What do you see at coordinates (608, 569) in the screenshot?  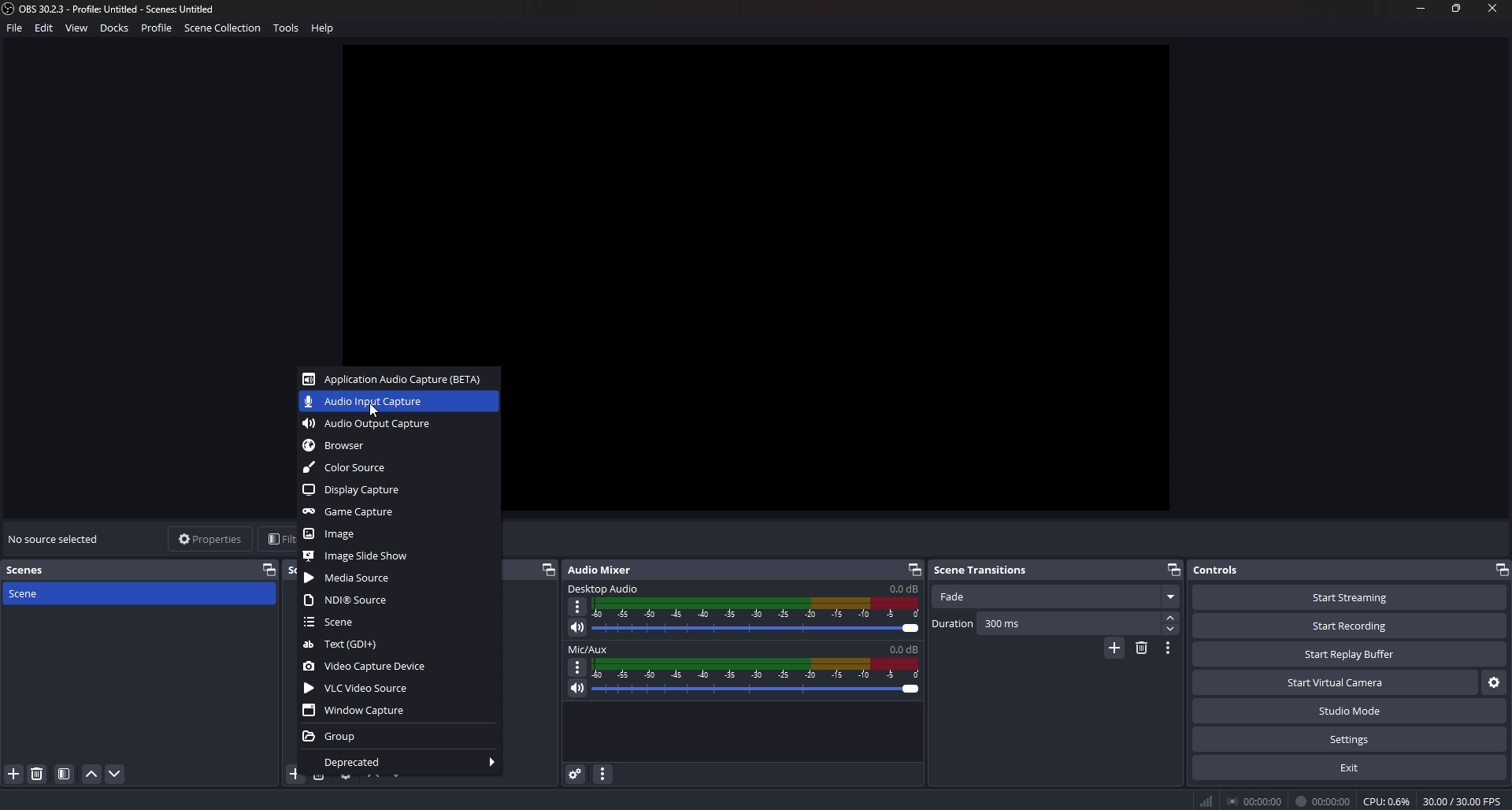 I see `audio mixer` at bounding box center [608, 569].